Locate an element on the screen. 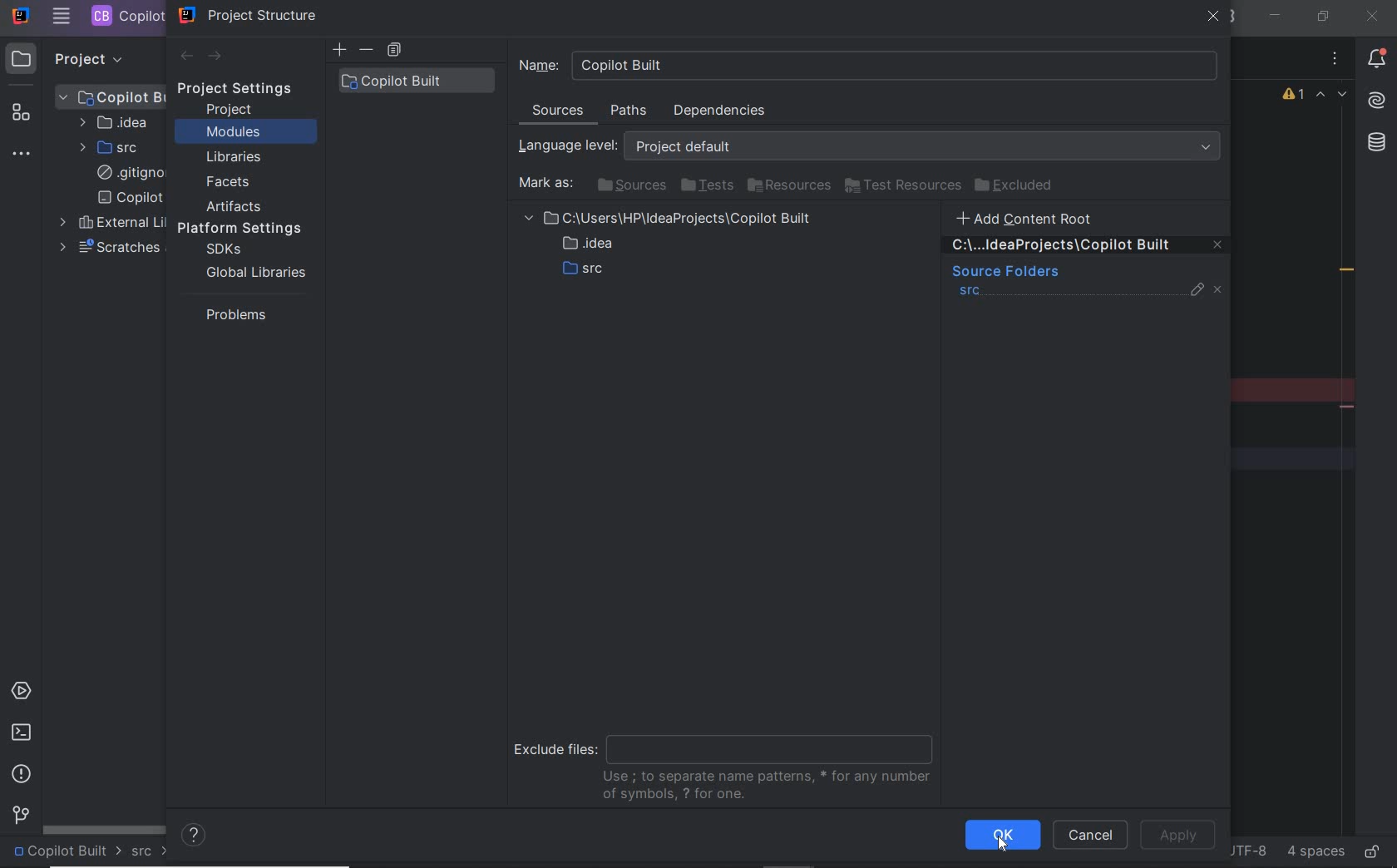  help contents is located at coordinates (195, 836).